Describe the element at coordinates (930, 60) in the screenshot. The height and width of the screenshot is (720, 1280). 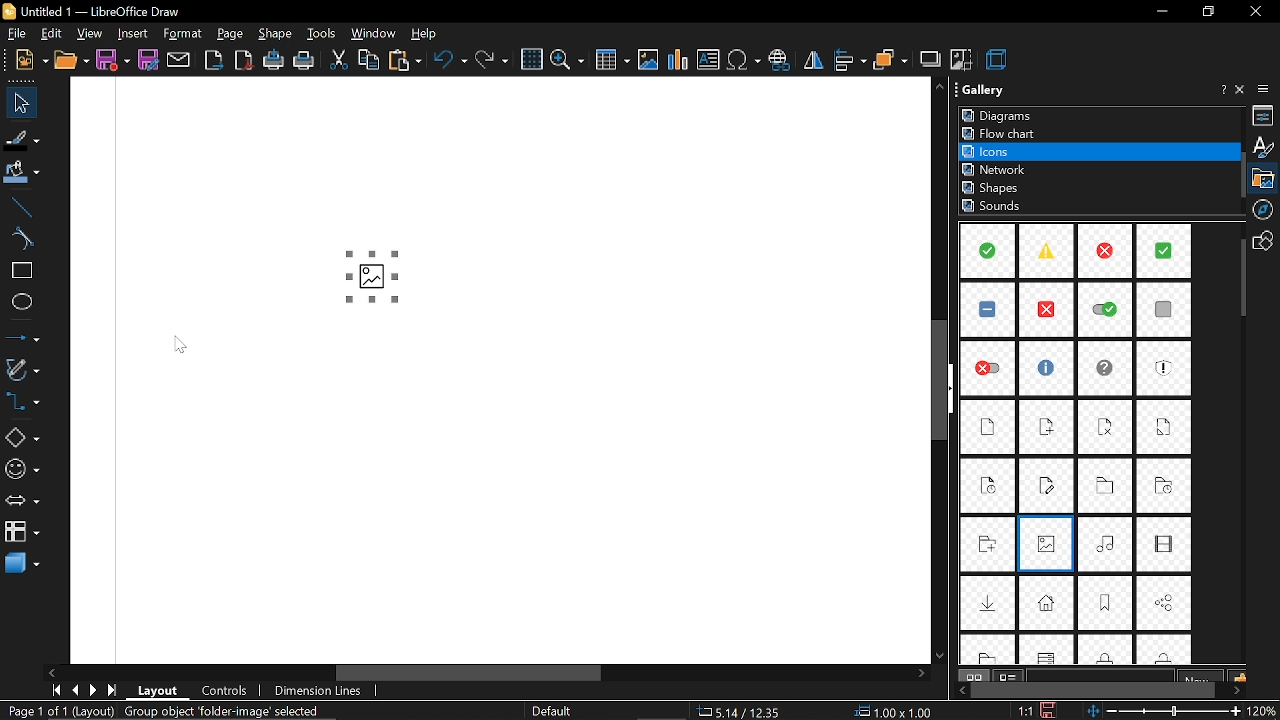
I see `shadow` at that location.